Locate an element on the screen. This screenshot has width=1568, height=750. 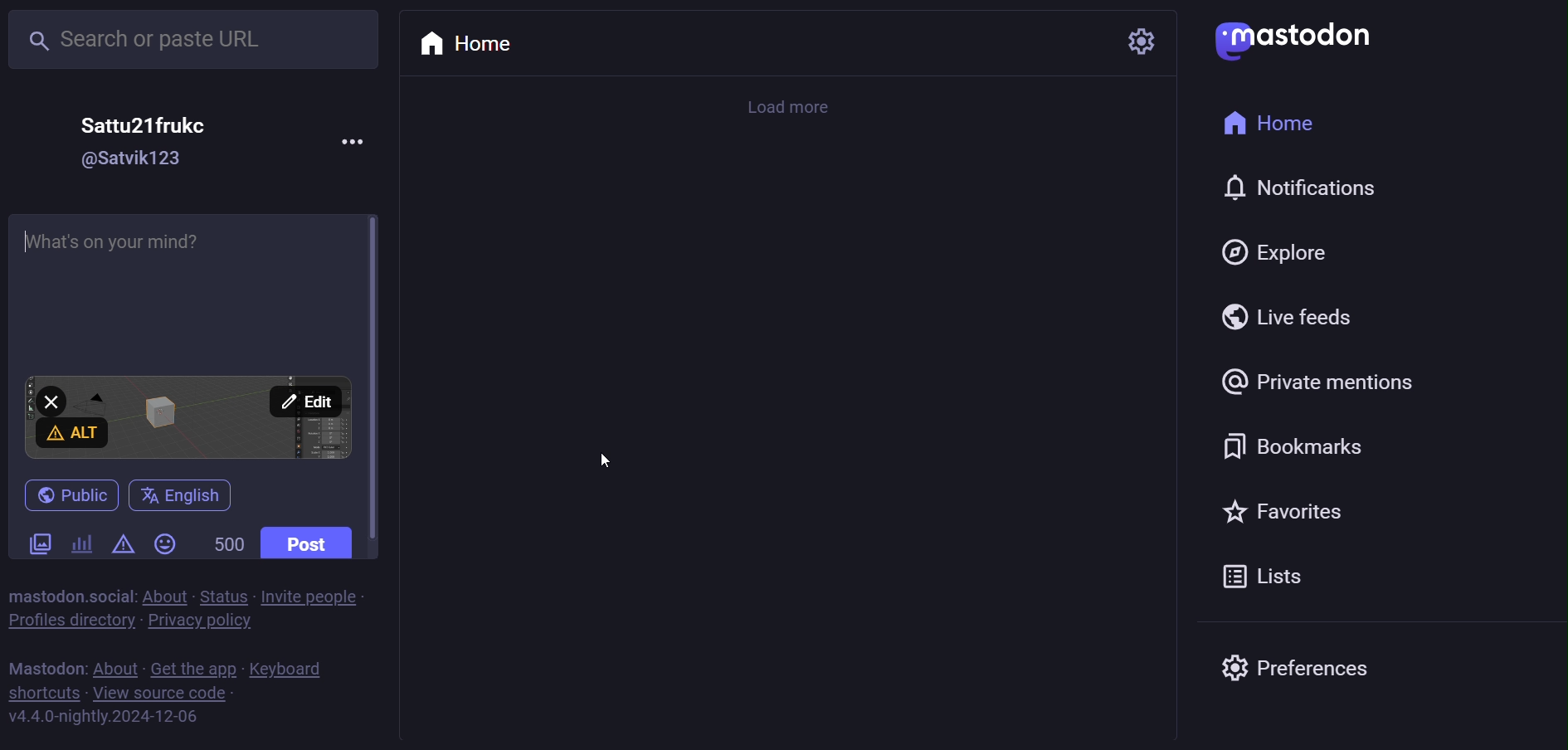
emoji is located at coordinates (167, 543).